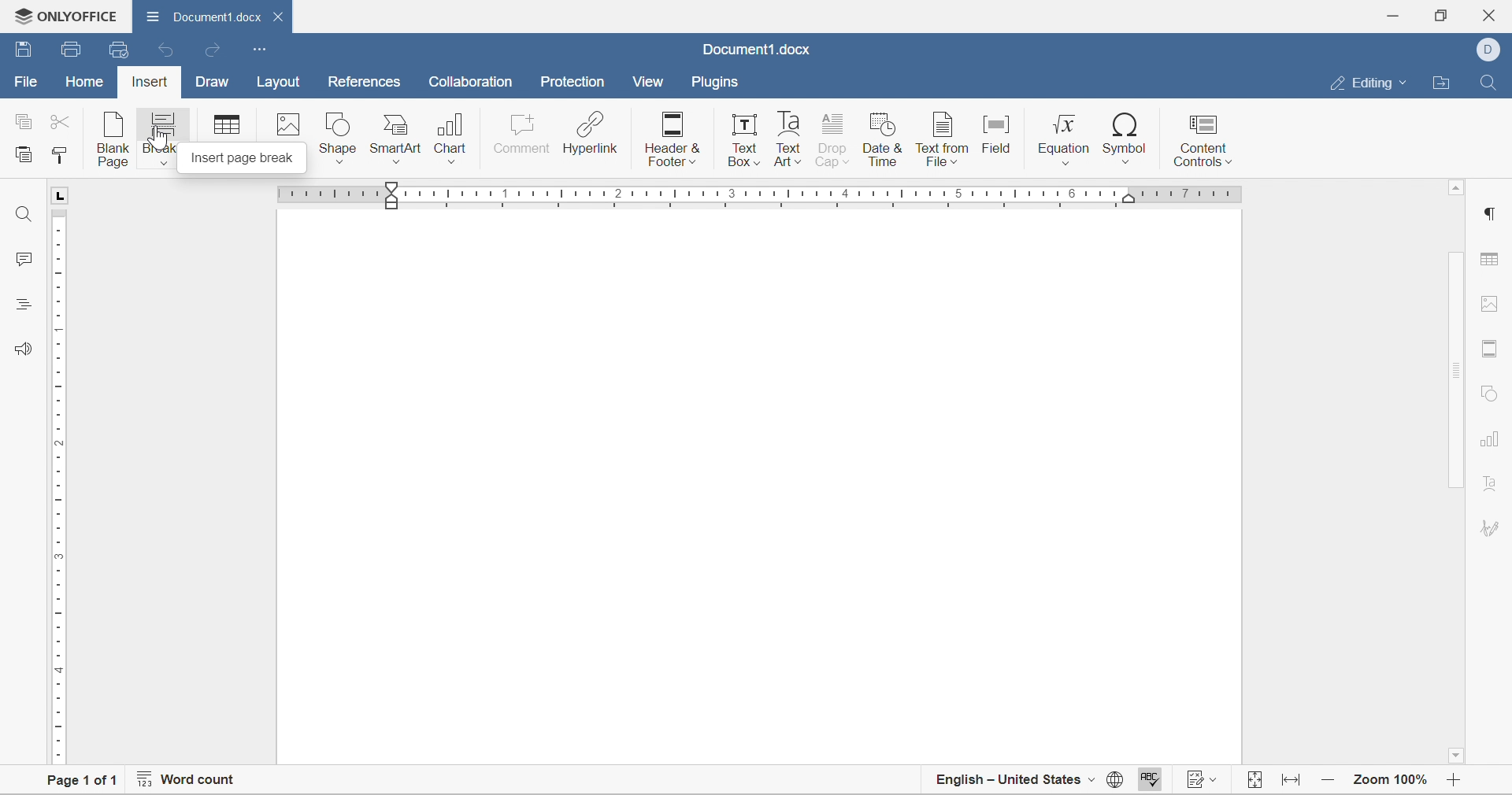 This screenshot has width=1512, height=795. I want to click on Redo, so click(216, 52).